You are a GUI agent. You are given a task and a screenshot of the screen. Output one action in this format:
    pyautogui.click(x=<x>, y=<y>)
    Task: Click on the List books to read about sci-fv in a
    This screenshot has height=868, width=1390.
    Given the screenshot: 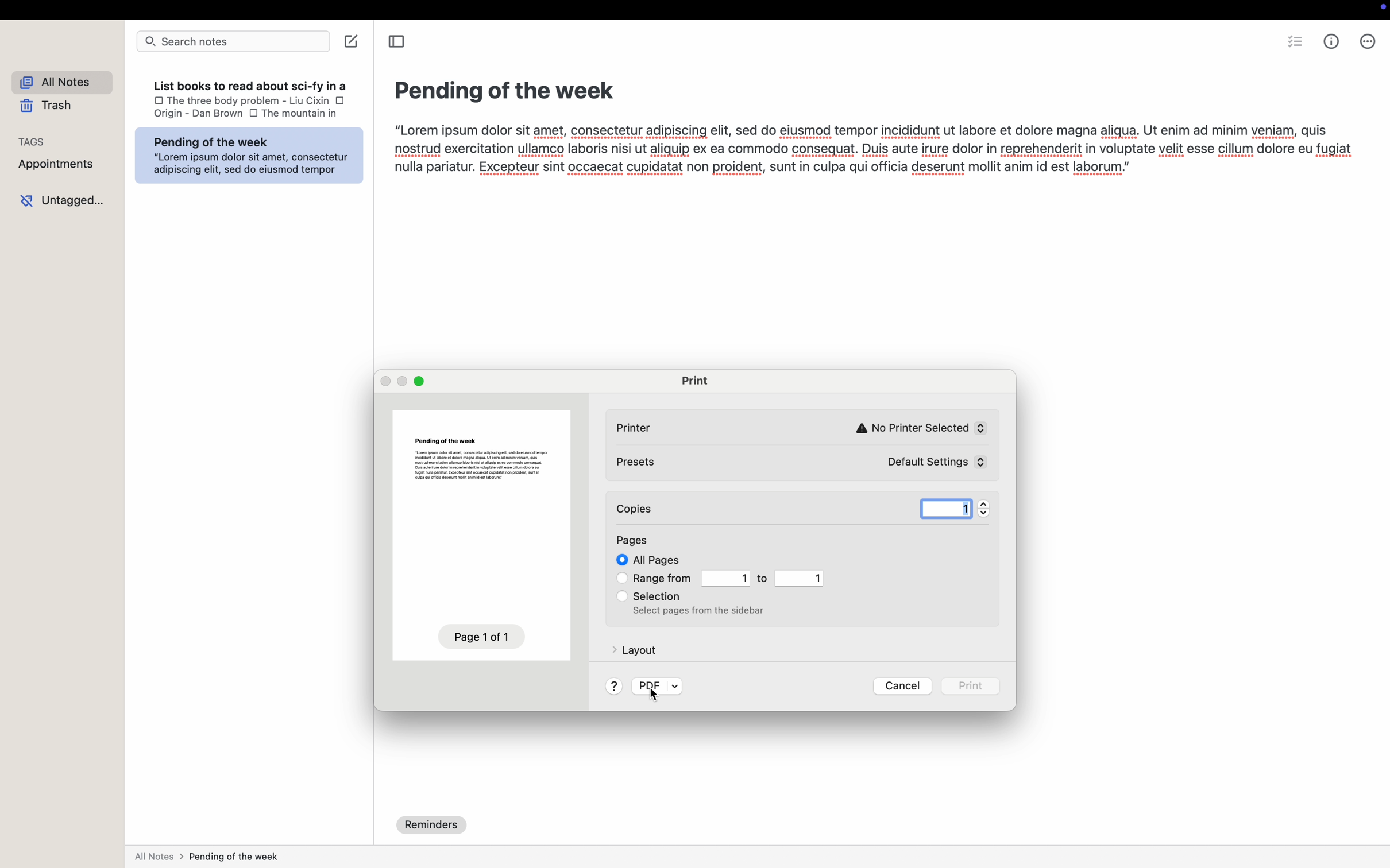 What is the action you would take?
    pyautogui.click(x=249, y=83)
    